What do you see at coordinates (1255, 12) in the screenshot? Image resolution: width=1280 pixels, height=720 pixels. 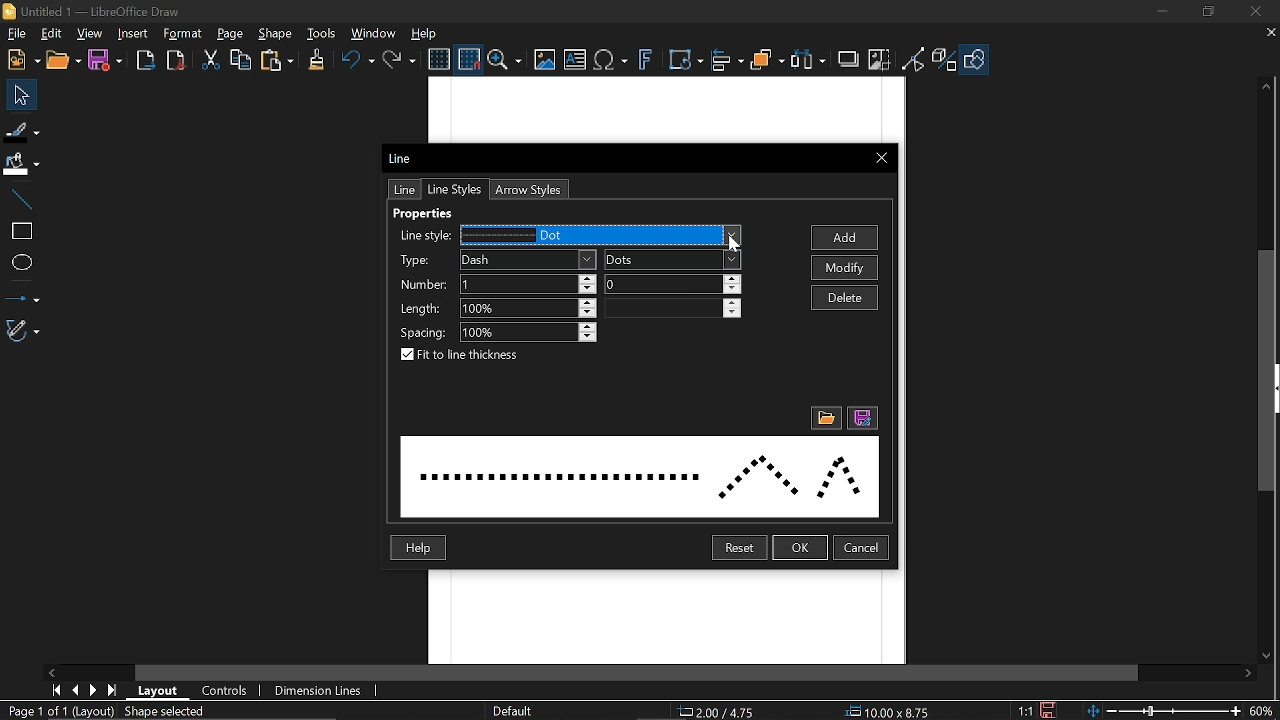 I see `close` at bounding box center [1255, 12].